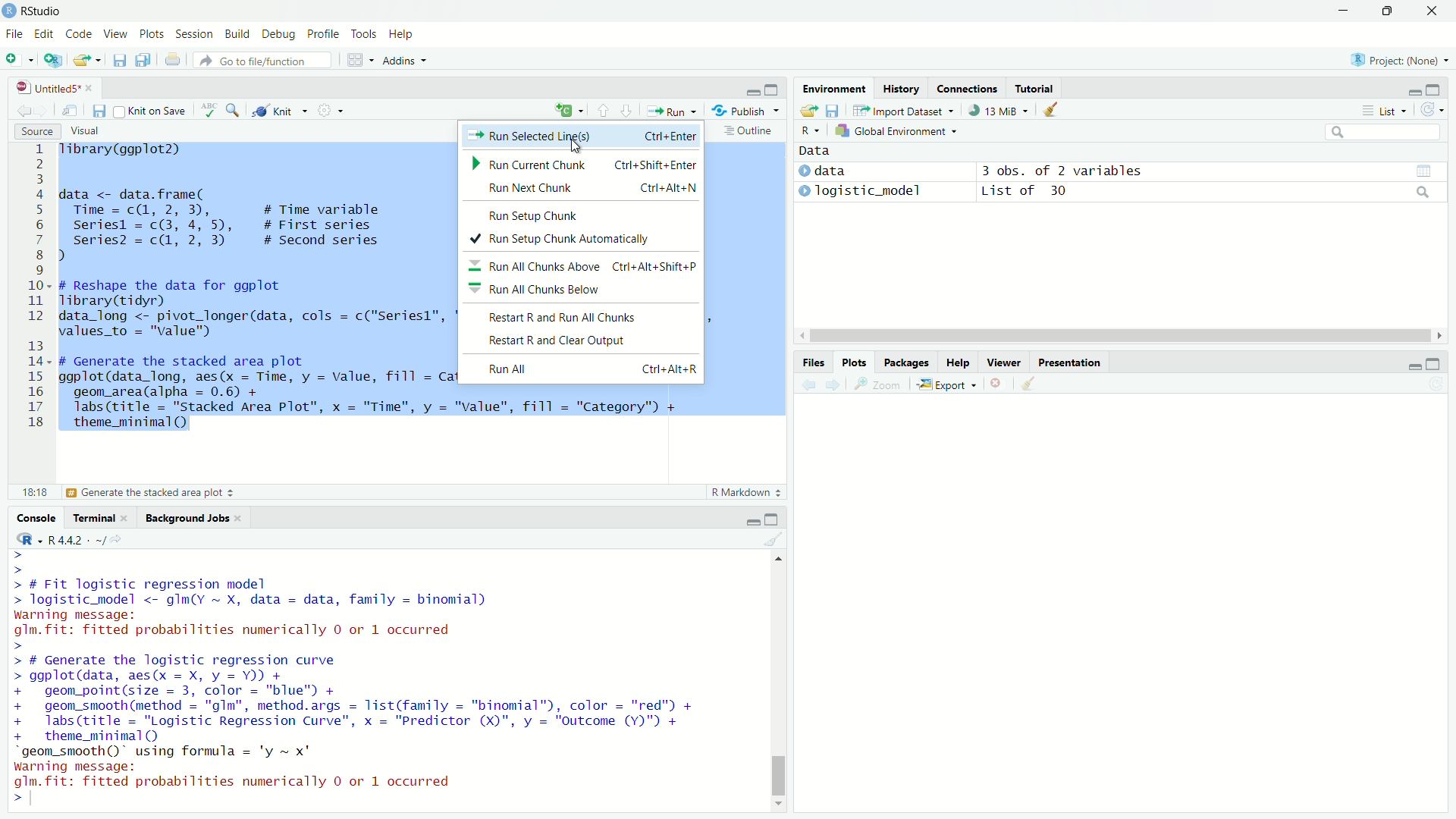 This screenshot has height=819, width=1456. What do you see at coordinates (742, 111) in the screenshot?
I see `- Publish` at bounding box center [742, 111].